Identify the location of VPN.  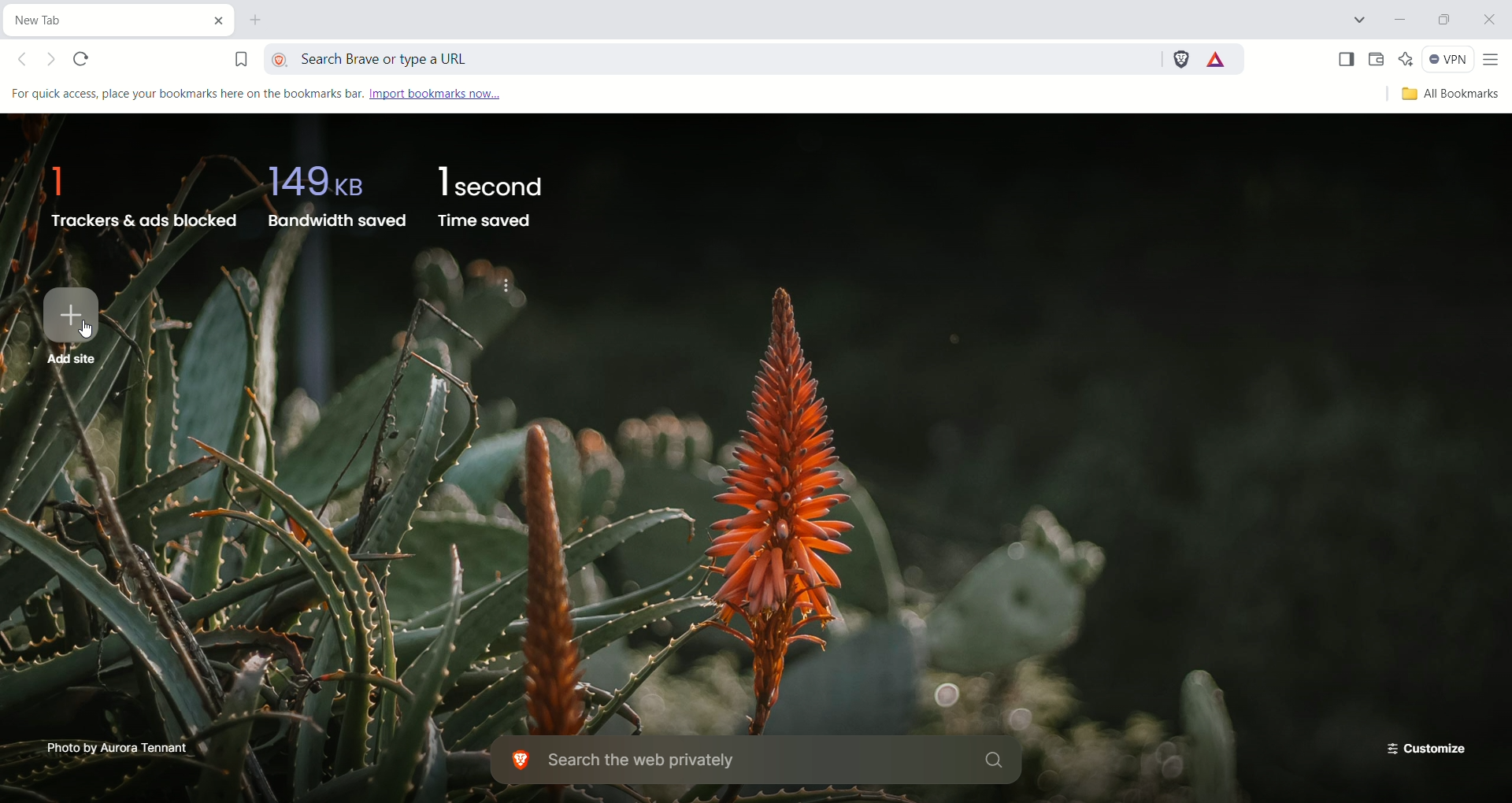
(1448, 61).